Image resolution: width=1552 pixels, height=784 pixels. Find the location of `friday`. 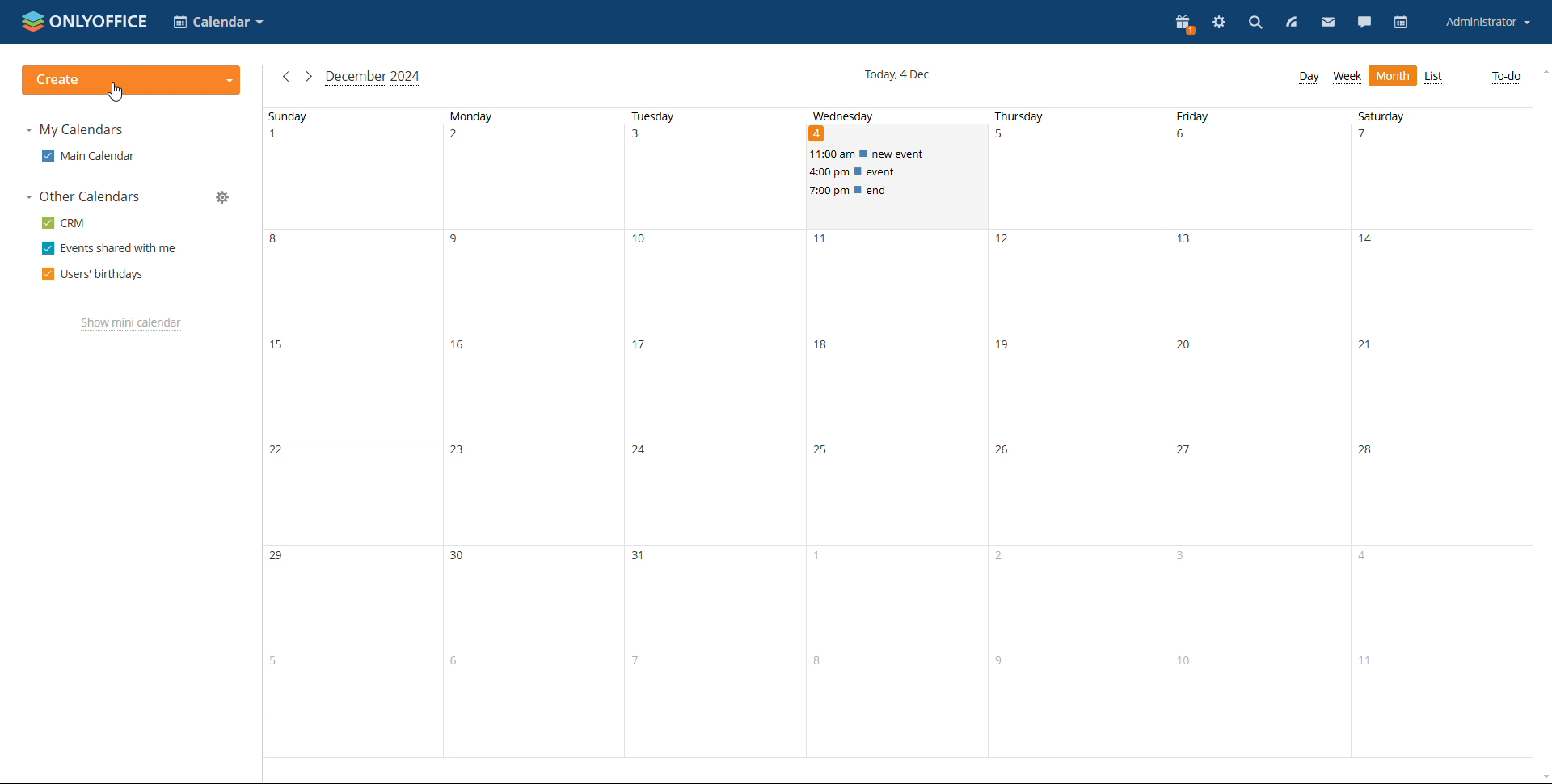

friday is located at coordinates (1263, 433).